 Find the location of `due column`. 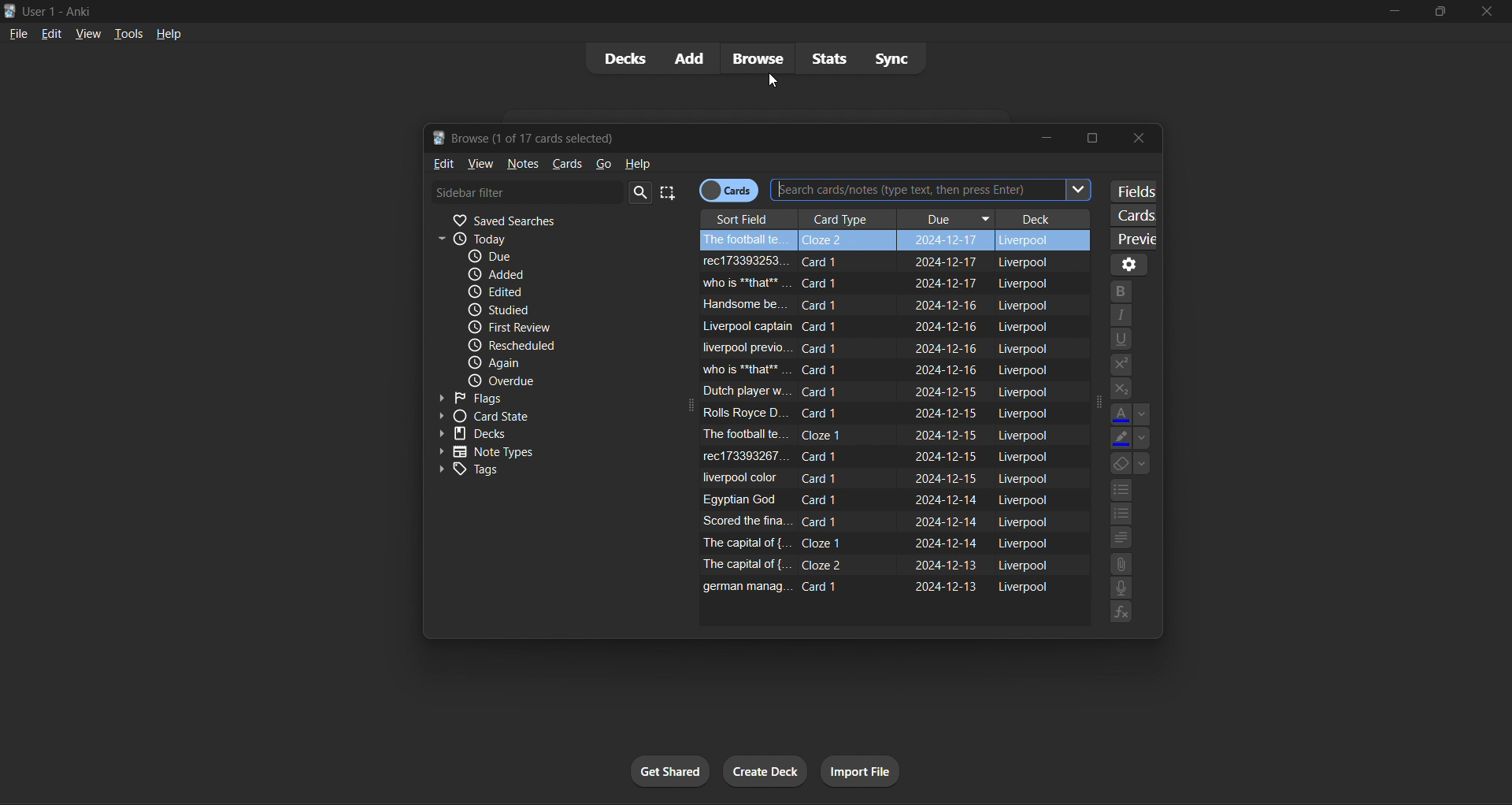

due column is located at coordinates (948, 219).